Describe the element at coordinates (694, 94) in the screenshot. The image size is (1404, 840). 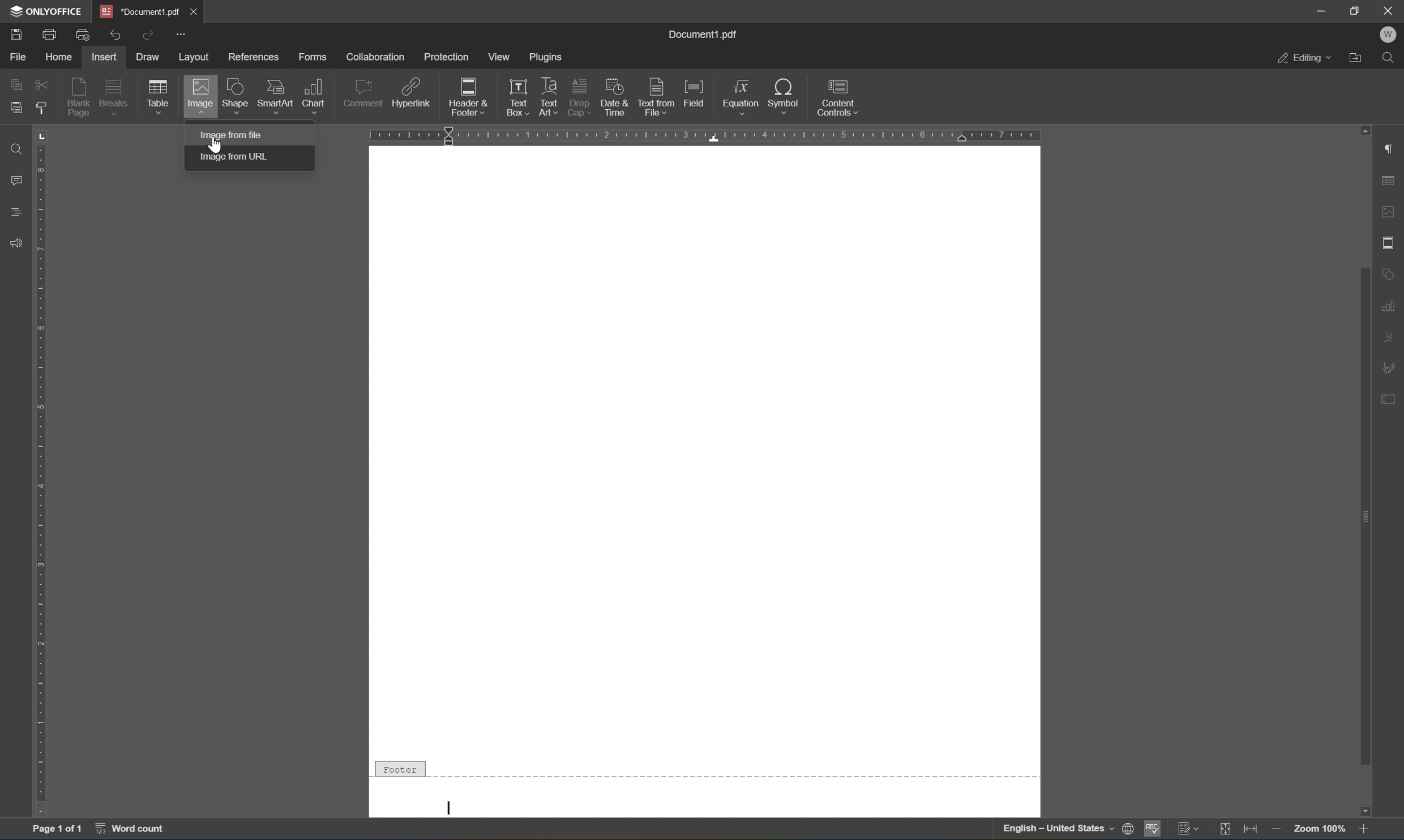
I see `field` at that location.